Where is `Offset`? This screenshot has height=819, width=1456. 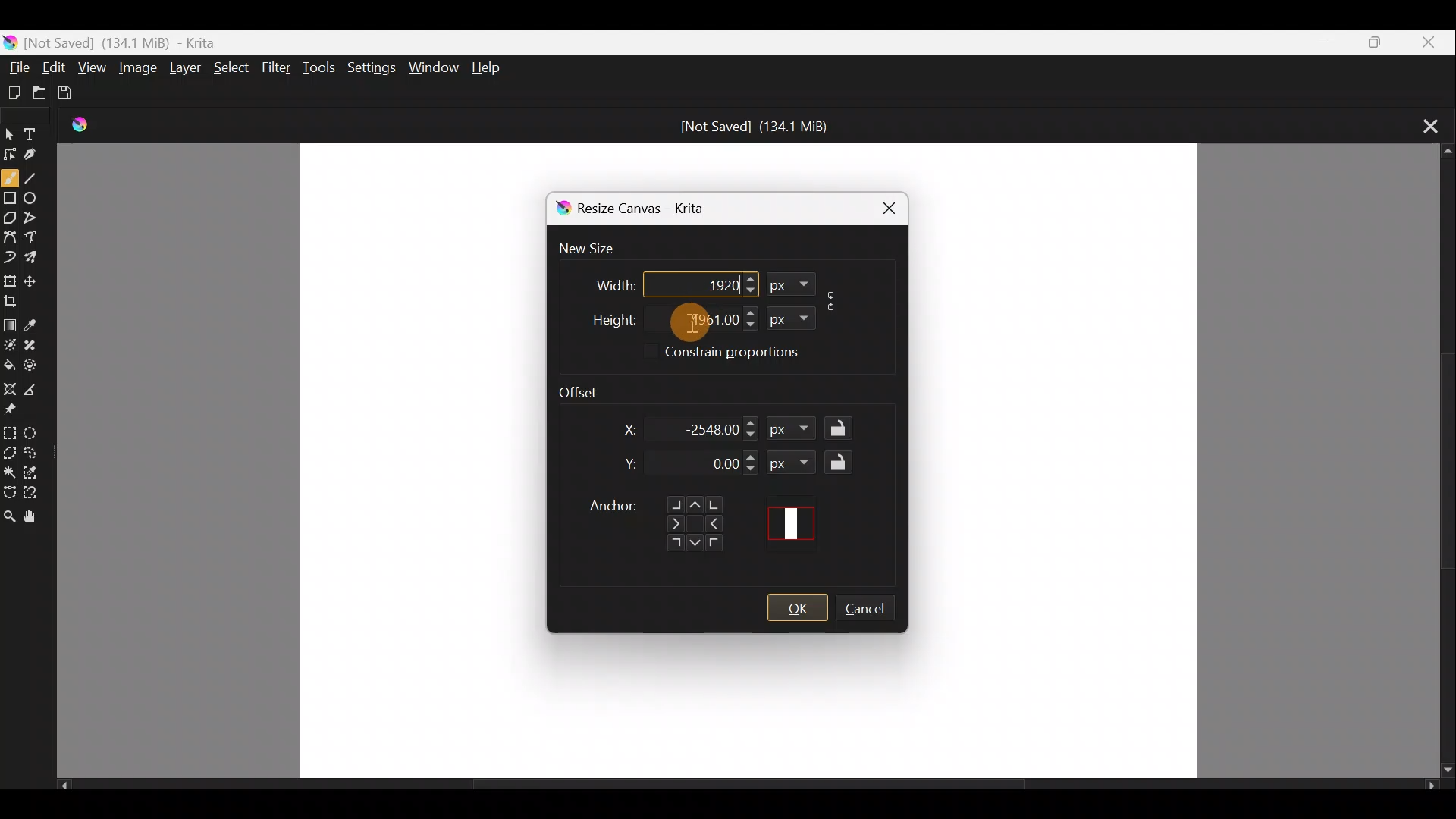 Offset is located at coordinates (588, 388).